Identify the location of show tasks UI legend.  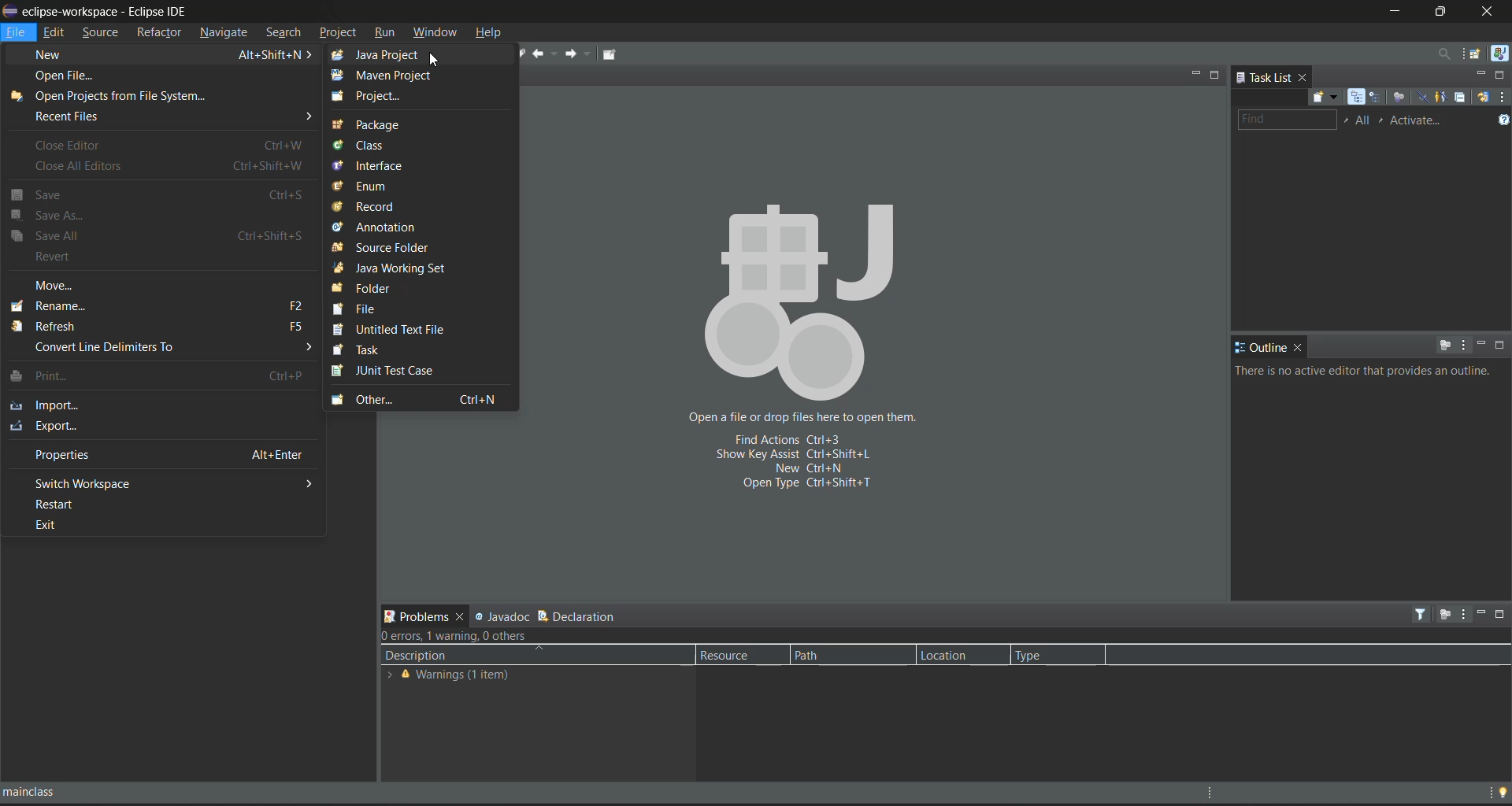
(1503, 120).